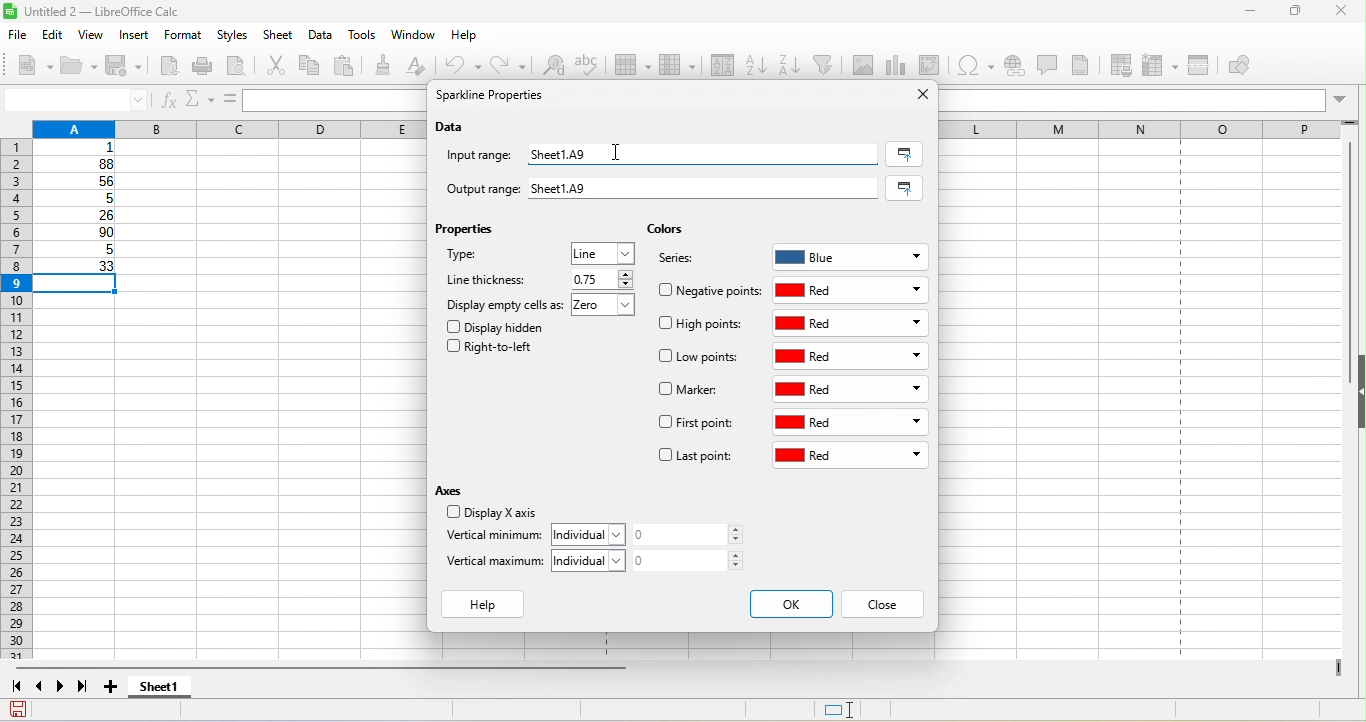  What do you see at coordinates (665, 230) in the screenshot?
I see `colors` at bounding box center [665, 230].